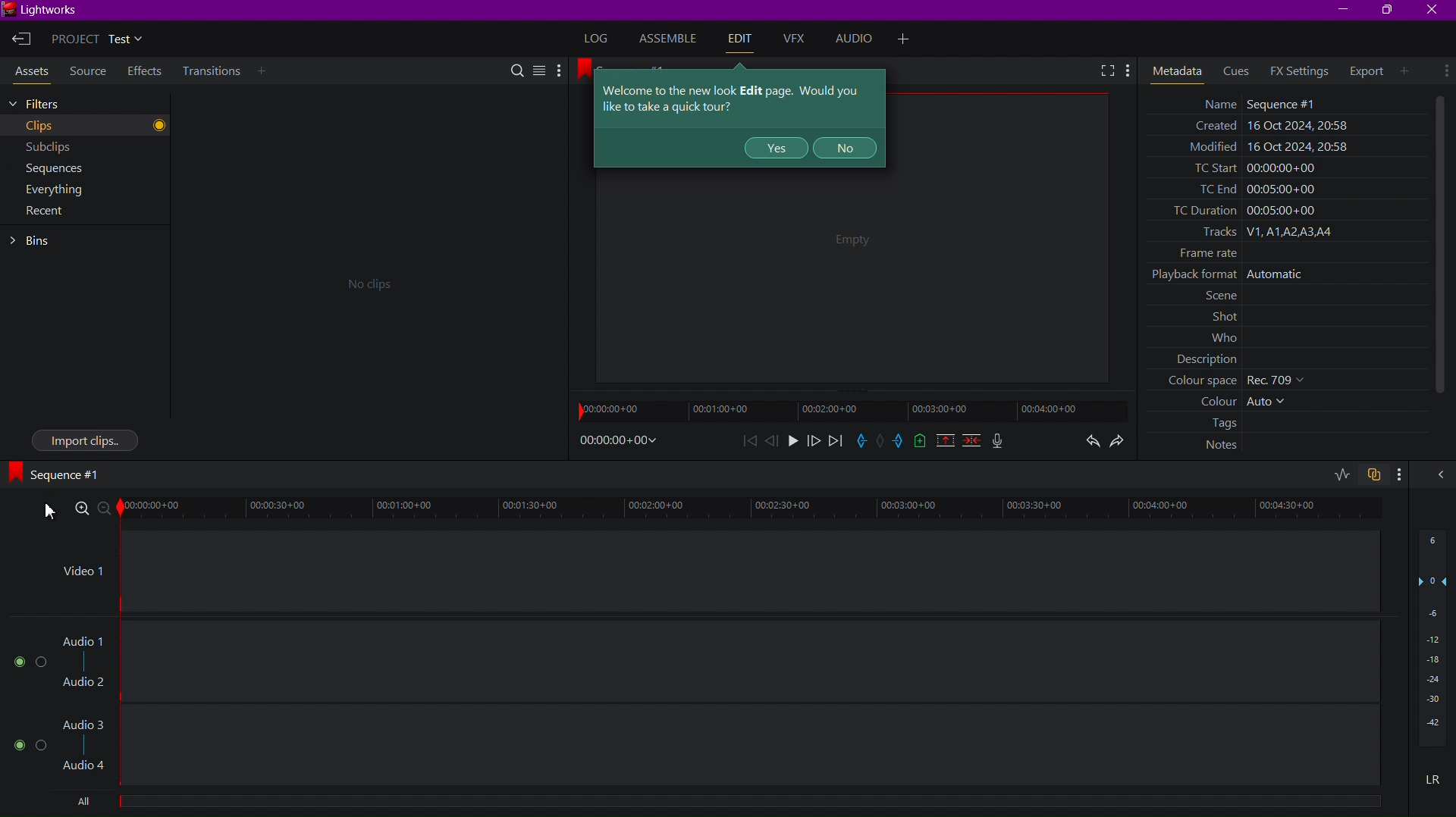 The width and height of the screenshot is (1456, 817). Describe the element at coordinates (513, 70) in the screenshot. I see `Search` at that location.